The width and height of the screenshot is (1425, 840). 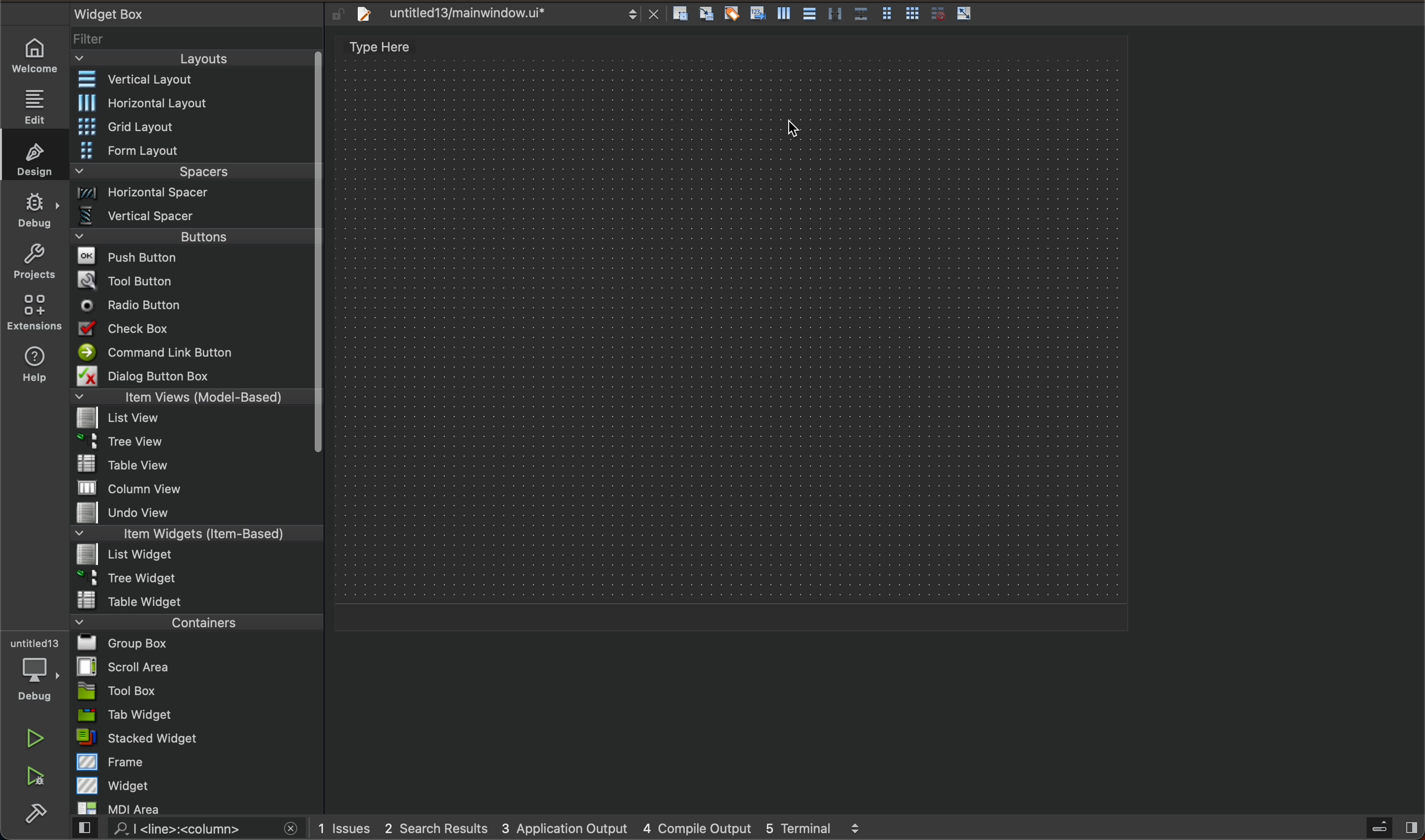 What do you see at coordinates (192, 513) in the screenshot?
I see `undo view` at bounding box center [192, 513].